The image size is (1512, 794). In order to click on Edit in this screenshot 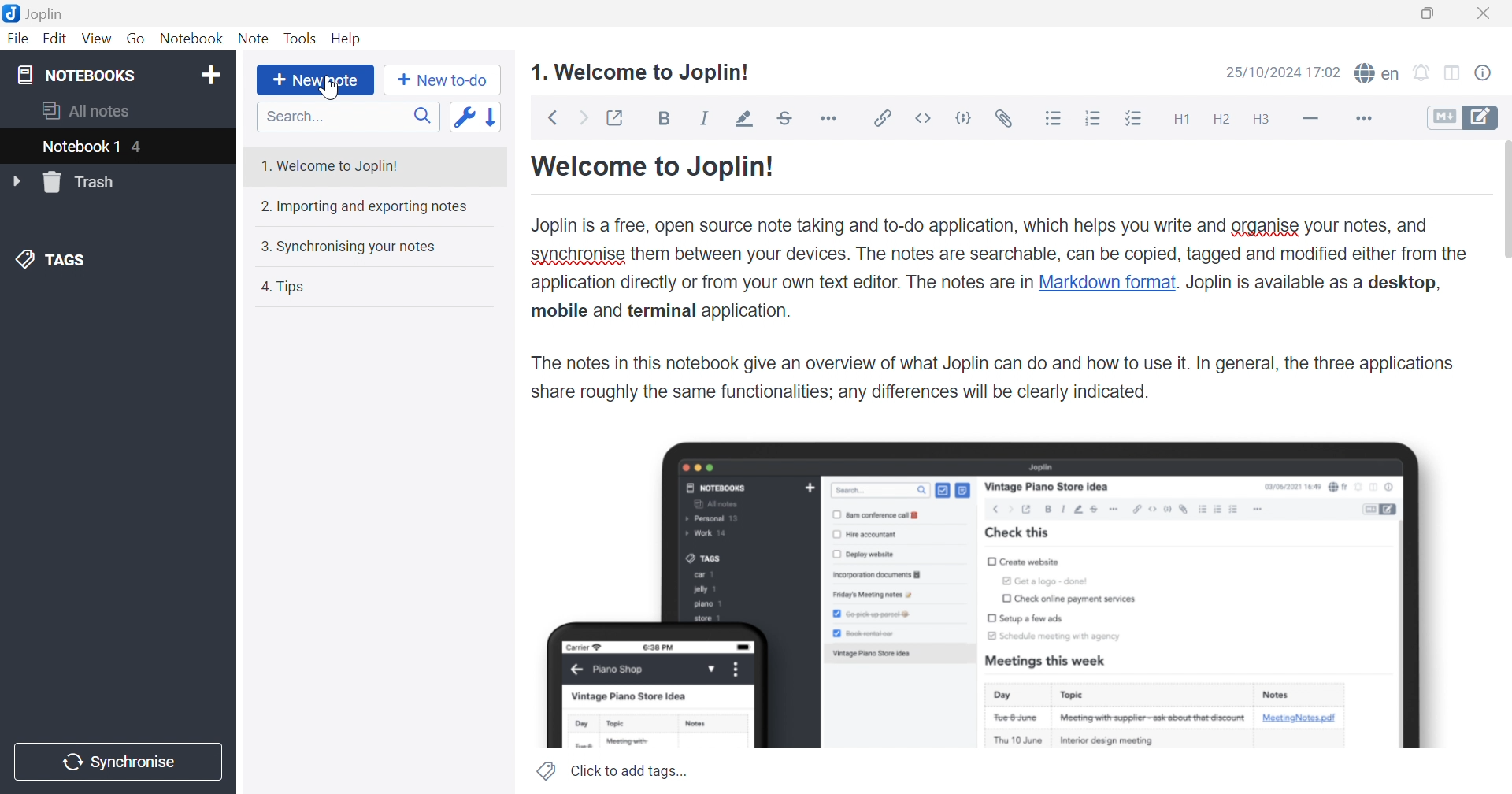, I will do `click(56, 39)`.